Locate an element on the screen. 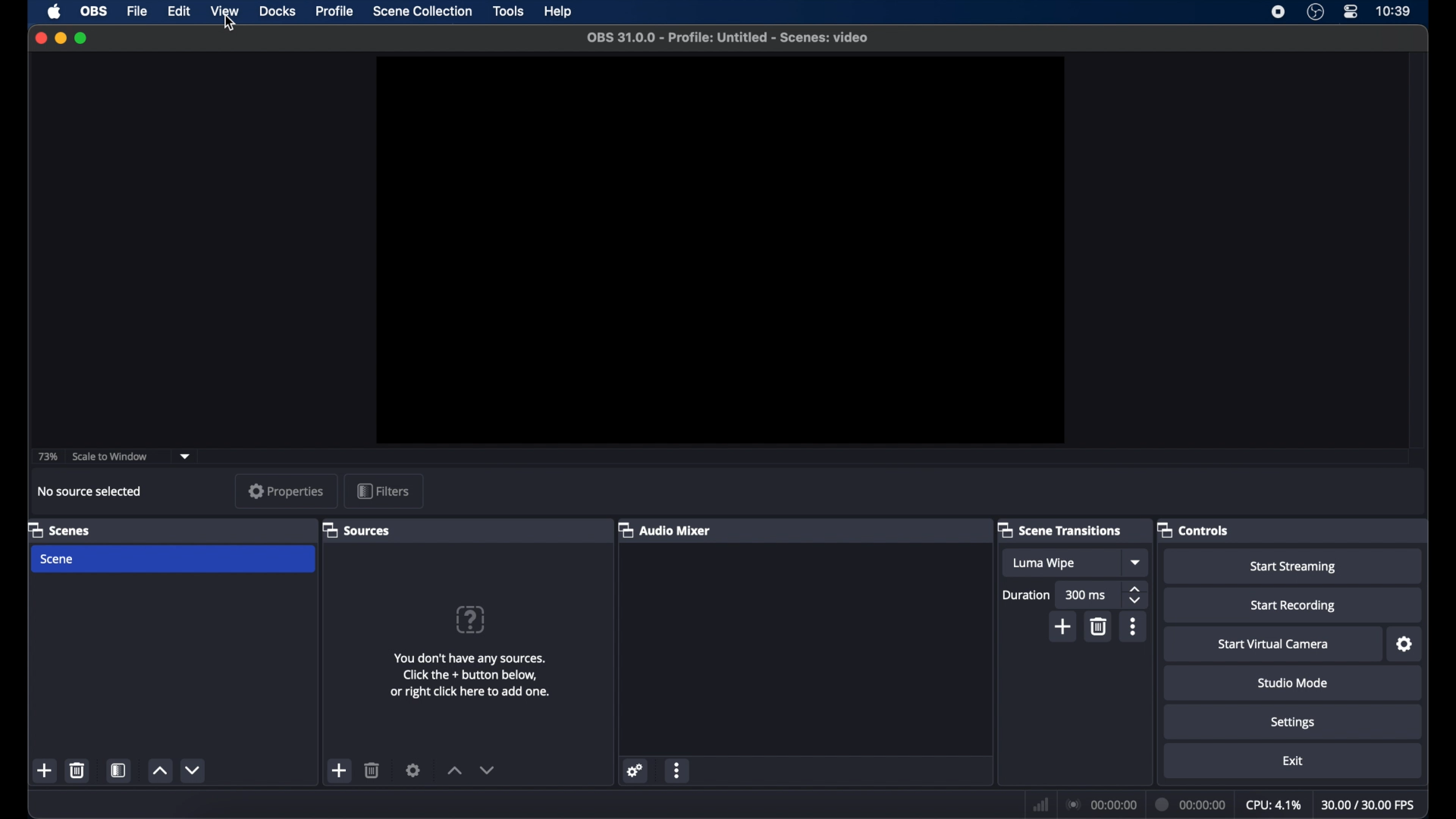 This screenshot has width=1456, height=819. 73% is located at coordinates (47, 457).